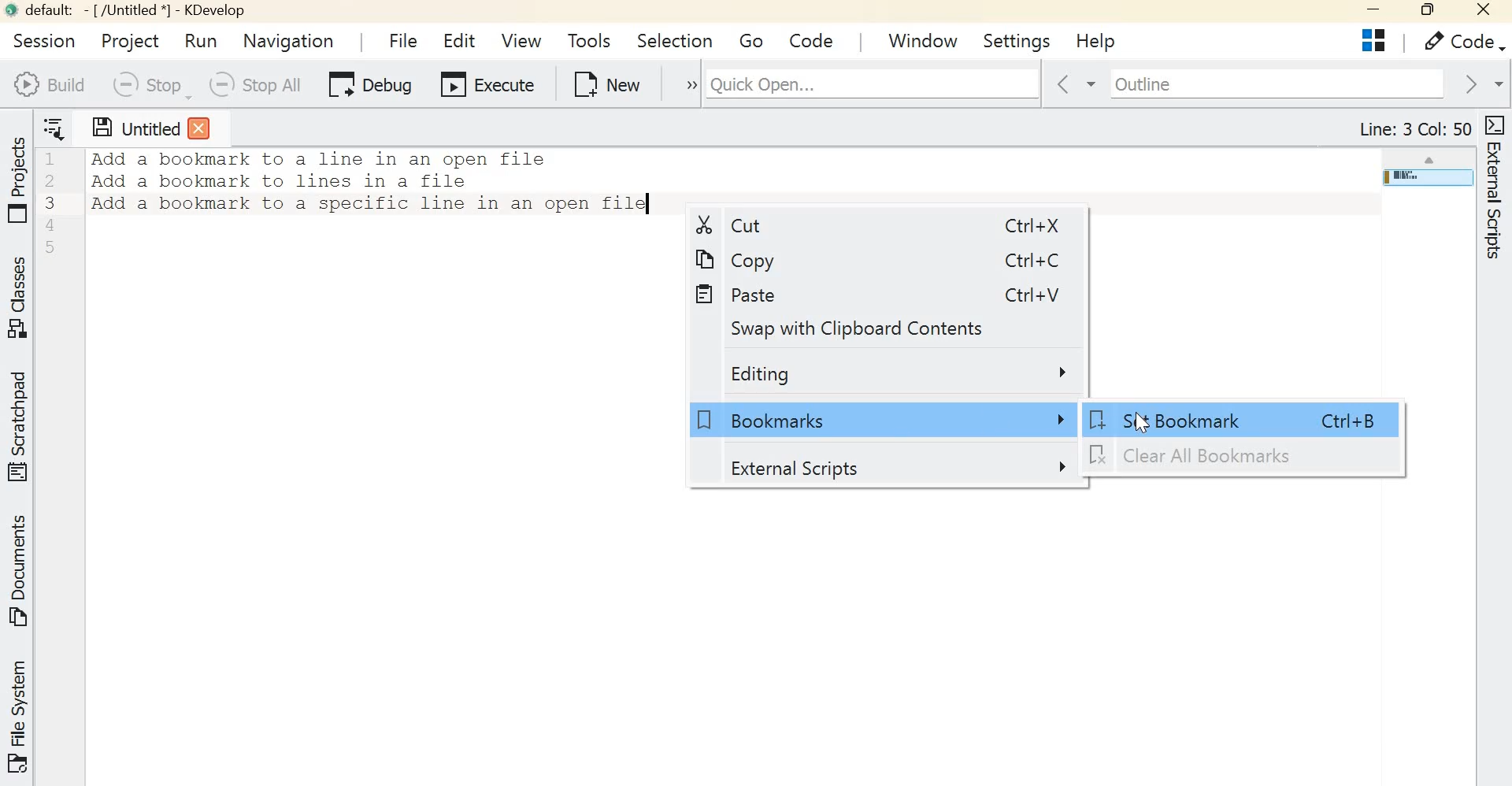  I want to click on Debug, so click(368, 83).